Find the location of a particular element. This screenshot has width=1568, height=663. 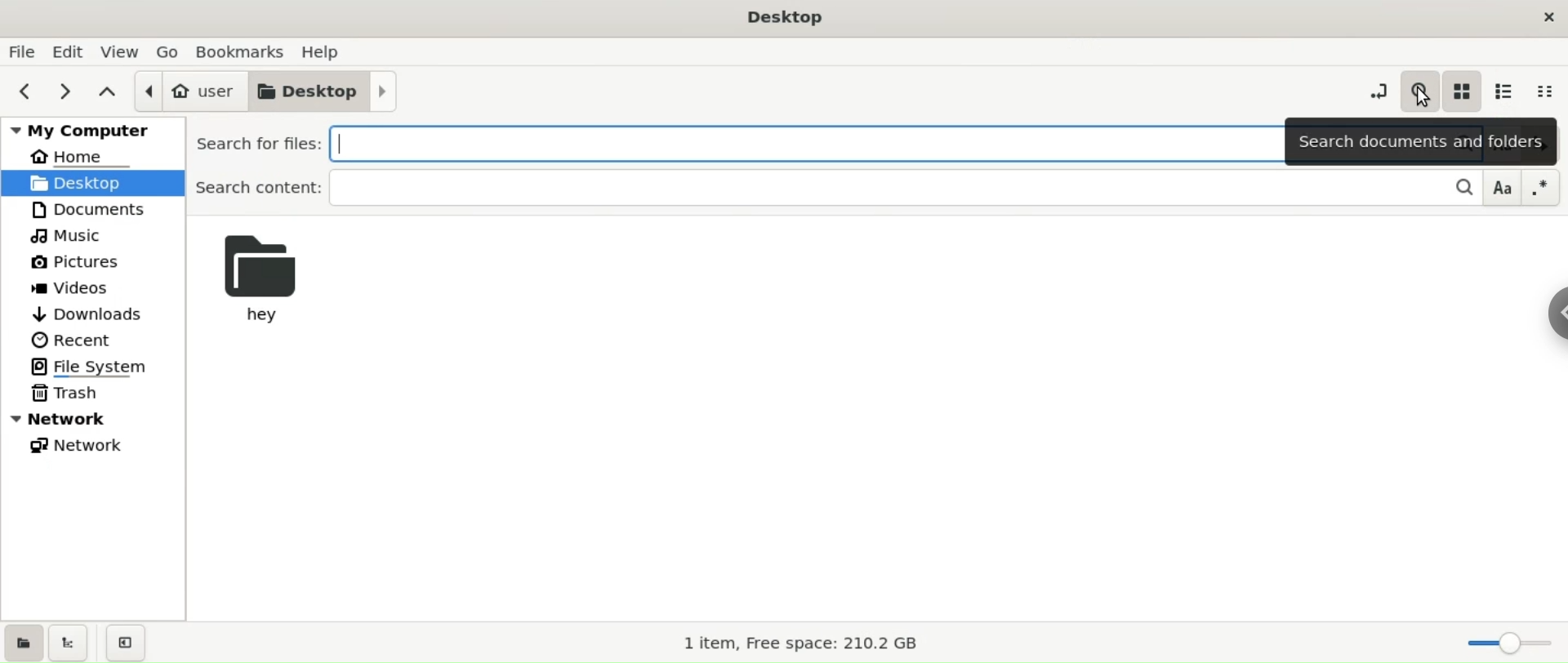

file system is located at coordinates (93, 368).